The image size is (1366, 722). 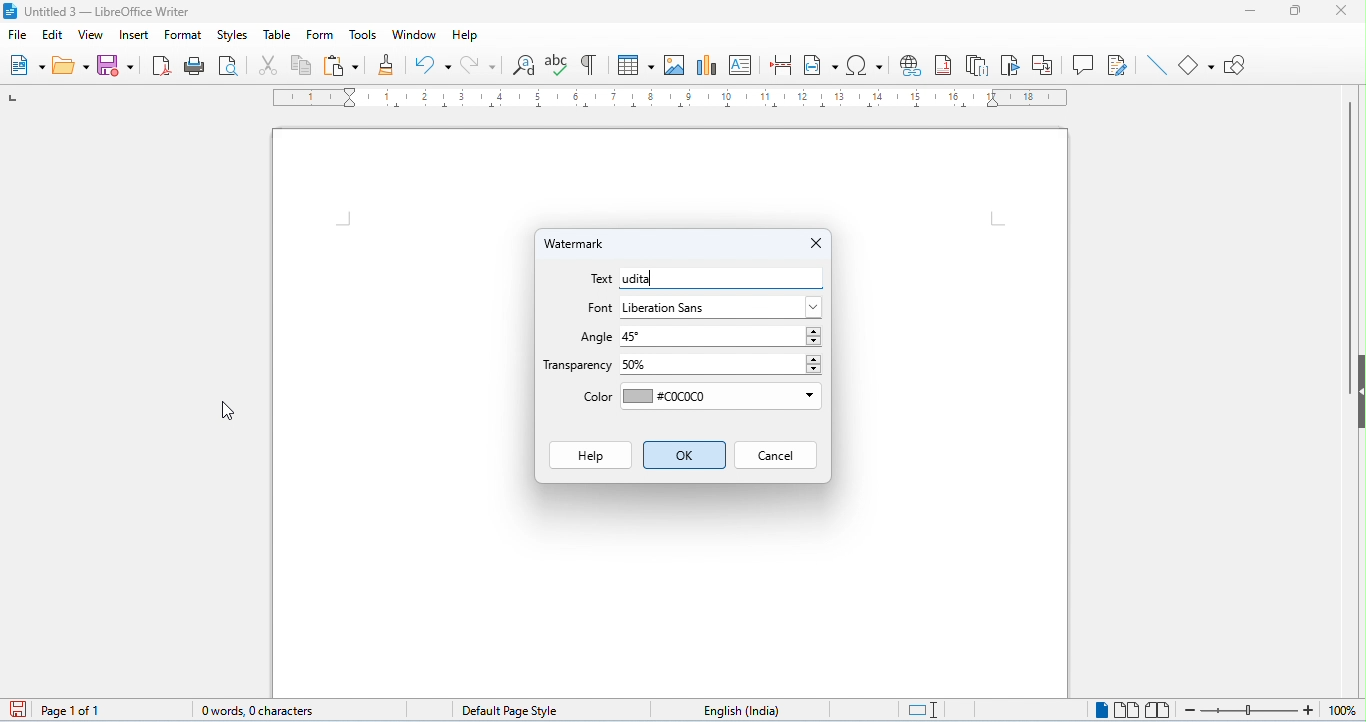 What do you see at coordinates (708, 63) in the screenshot?
I see `insert chart` at bounding box center [708, 63].